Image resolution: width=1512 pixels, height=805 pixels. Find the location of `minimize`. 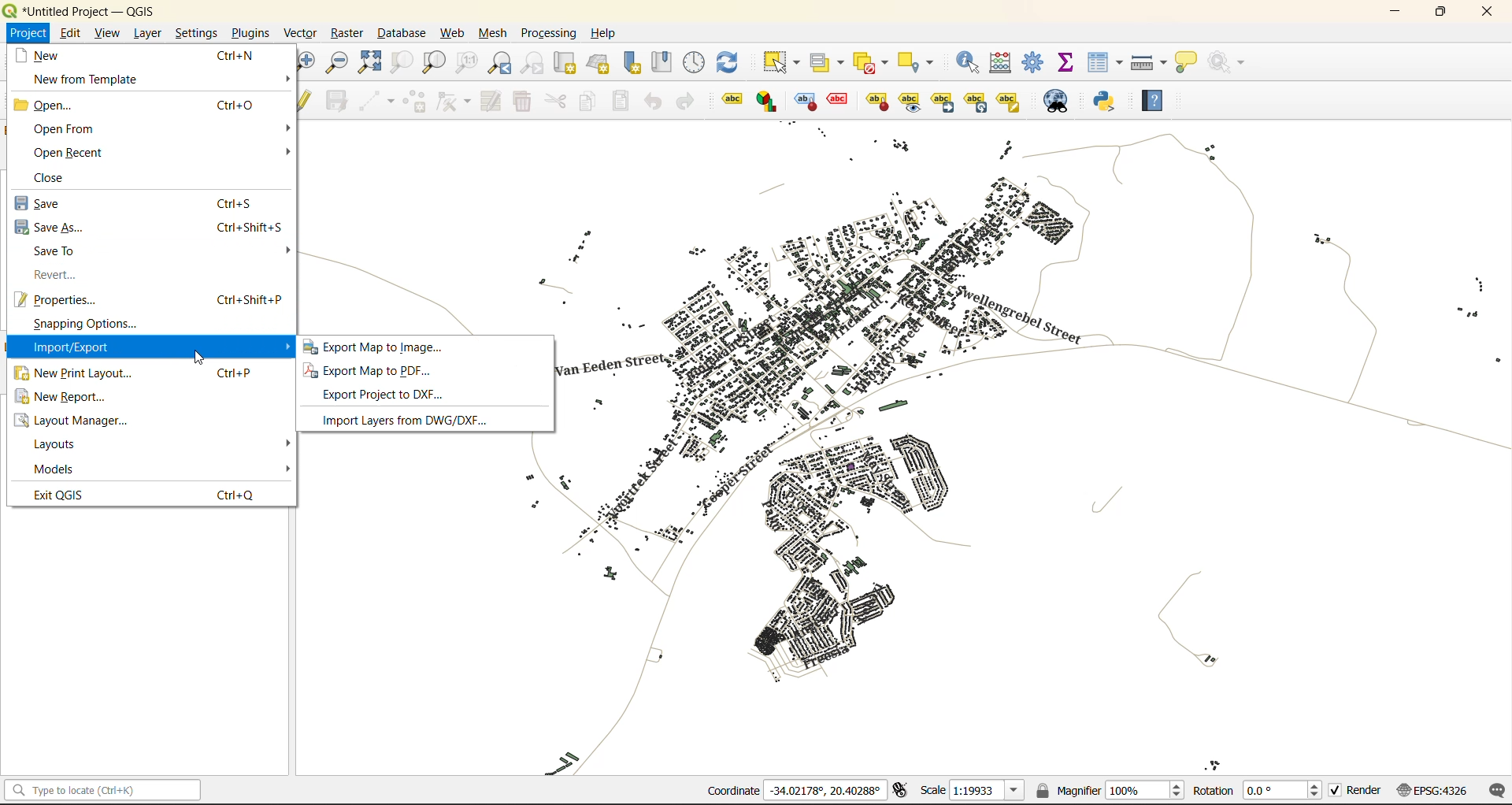

minimize is located at coordinates (1394, 12).